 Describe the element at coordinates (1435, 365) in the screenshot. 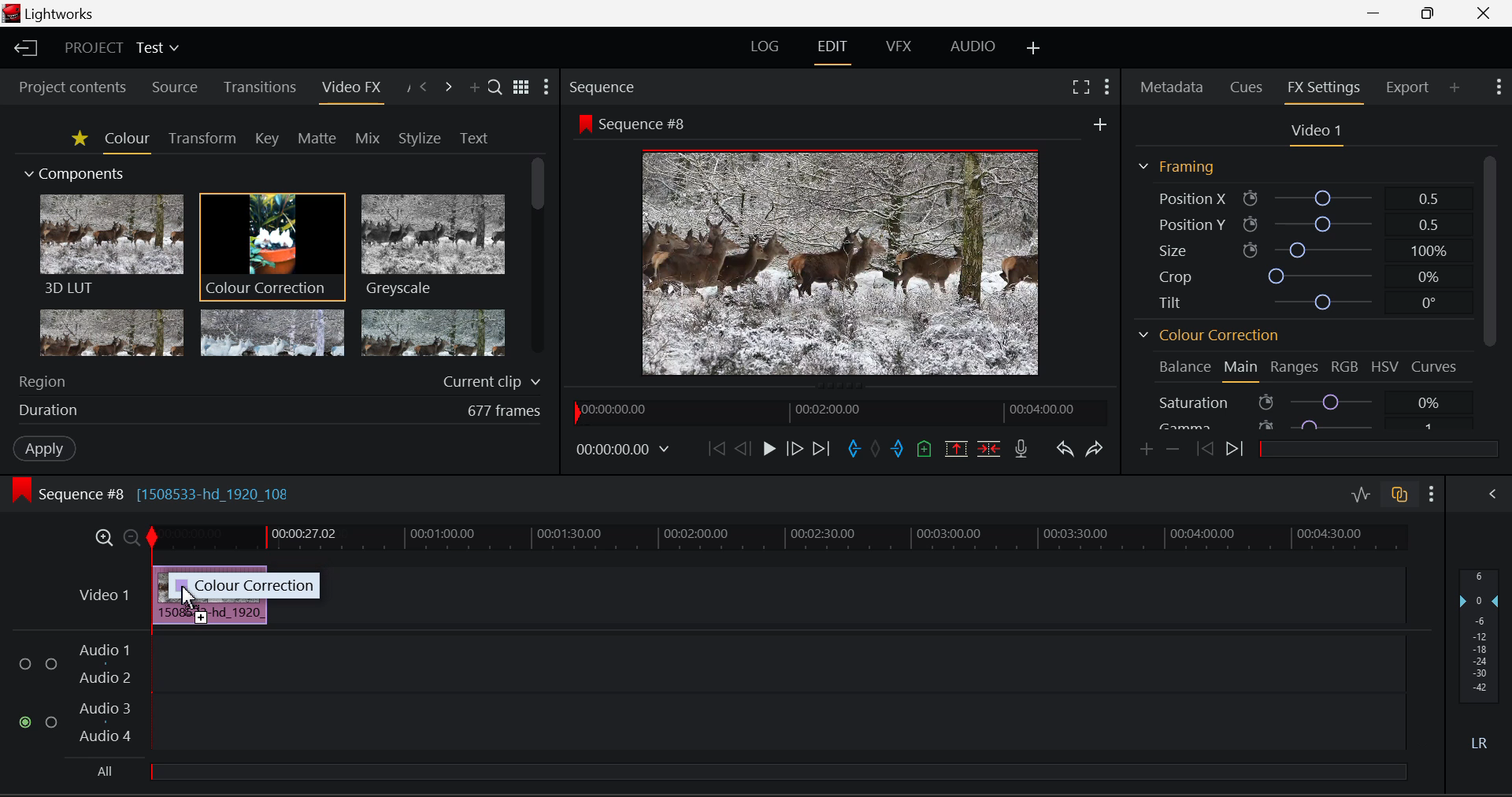

I see `Curves` at that location.